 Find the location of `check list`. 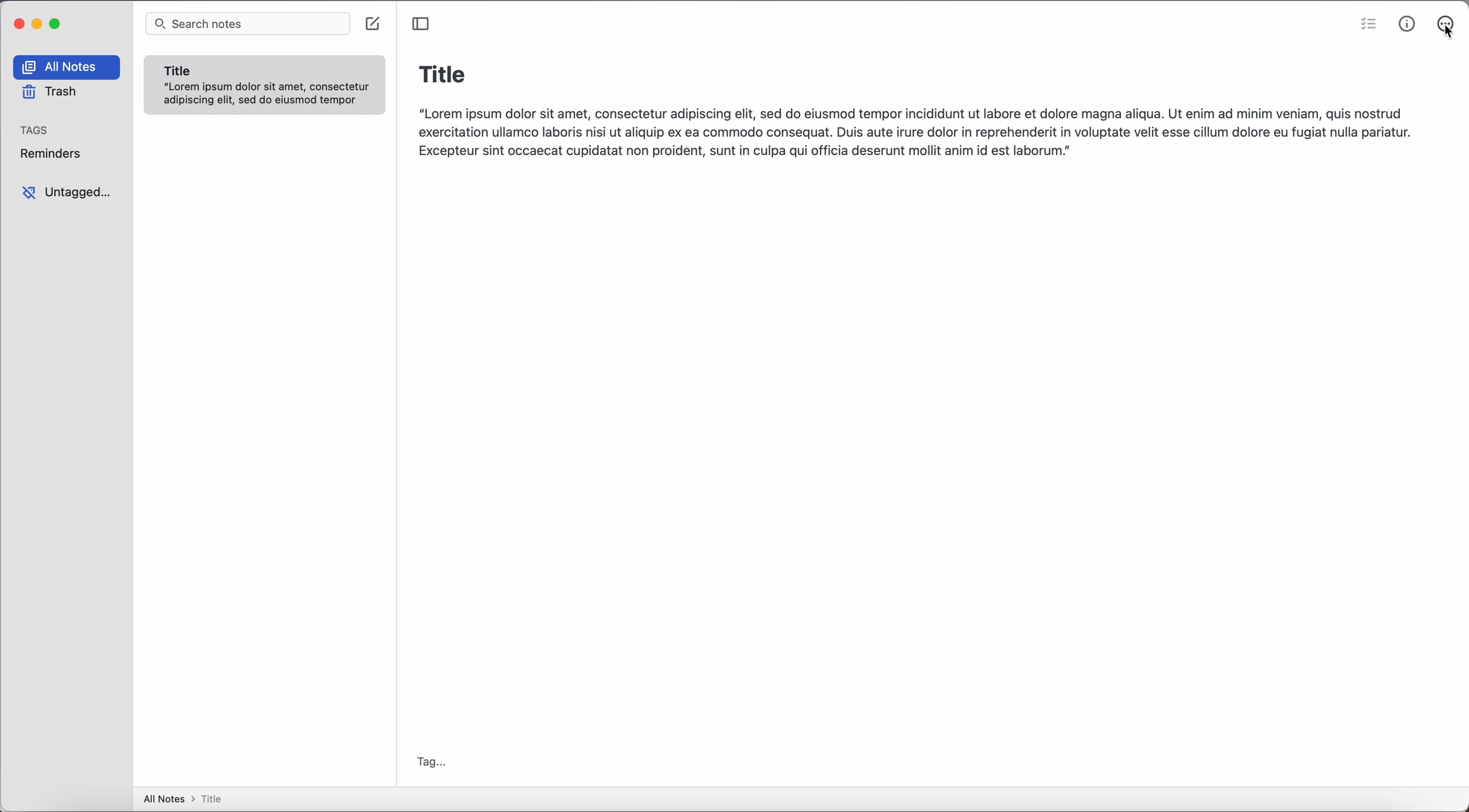

check list is located at coordinates (1366, 26).